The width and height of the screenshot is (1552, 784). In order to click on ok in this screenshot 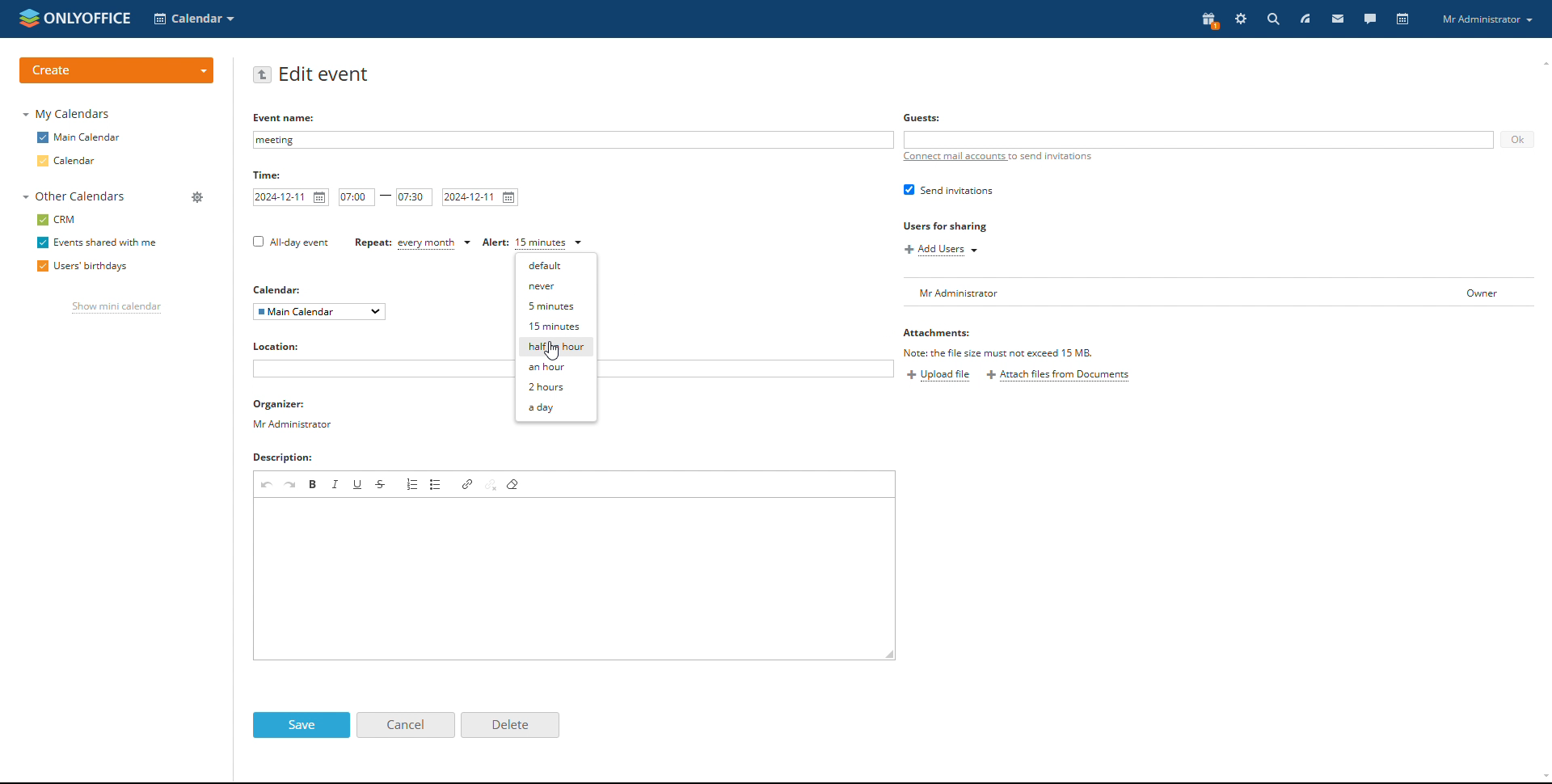, I will do `click(1517, 137)`.